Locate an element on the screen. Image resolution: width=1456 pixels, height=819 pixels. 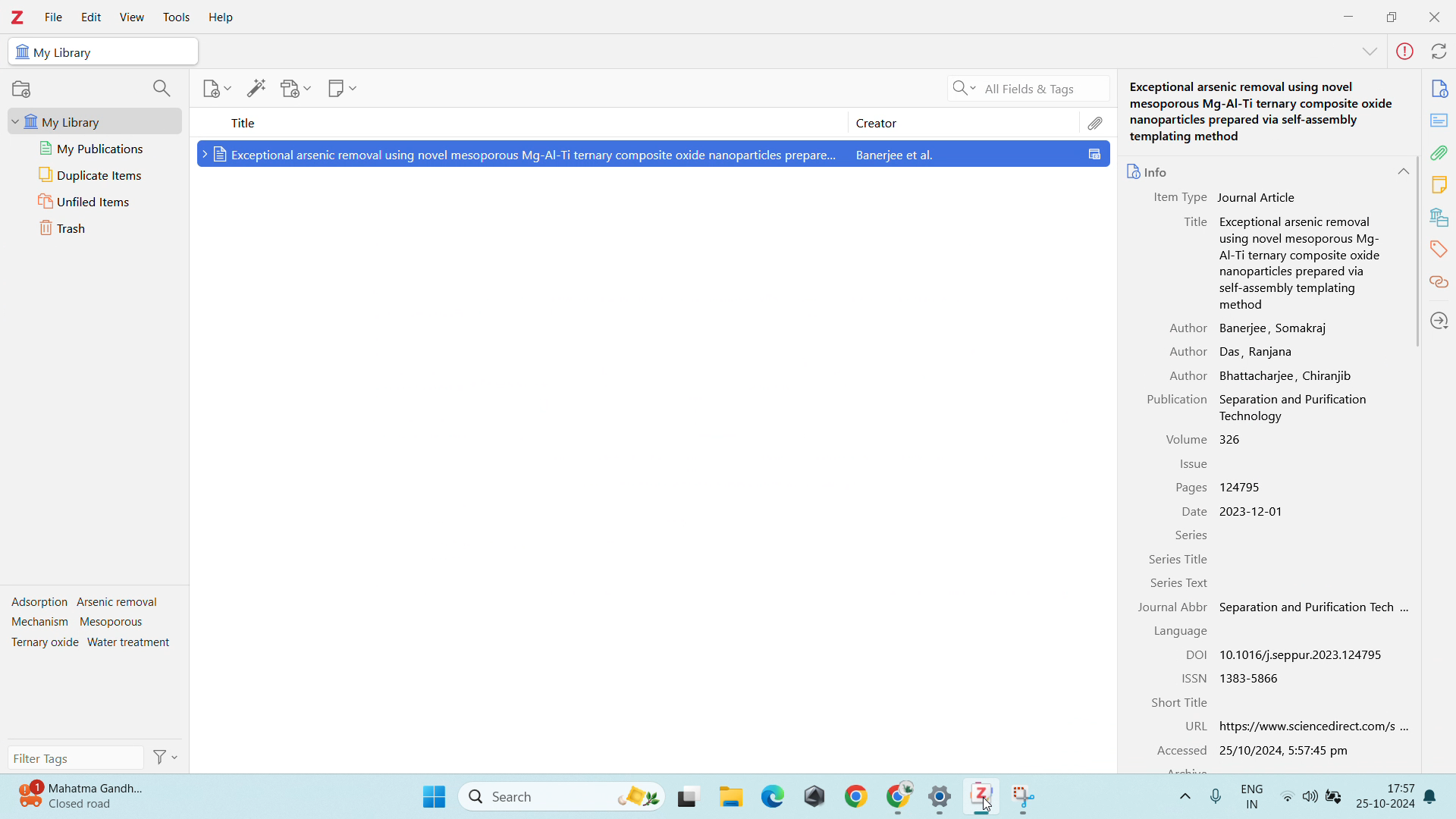
collapse info is located at coordinates (1403, 172).